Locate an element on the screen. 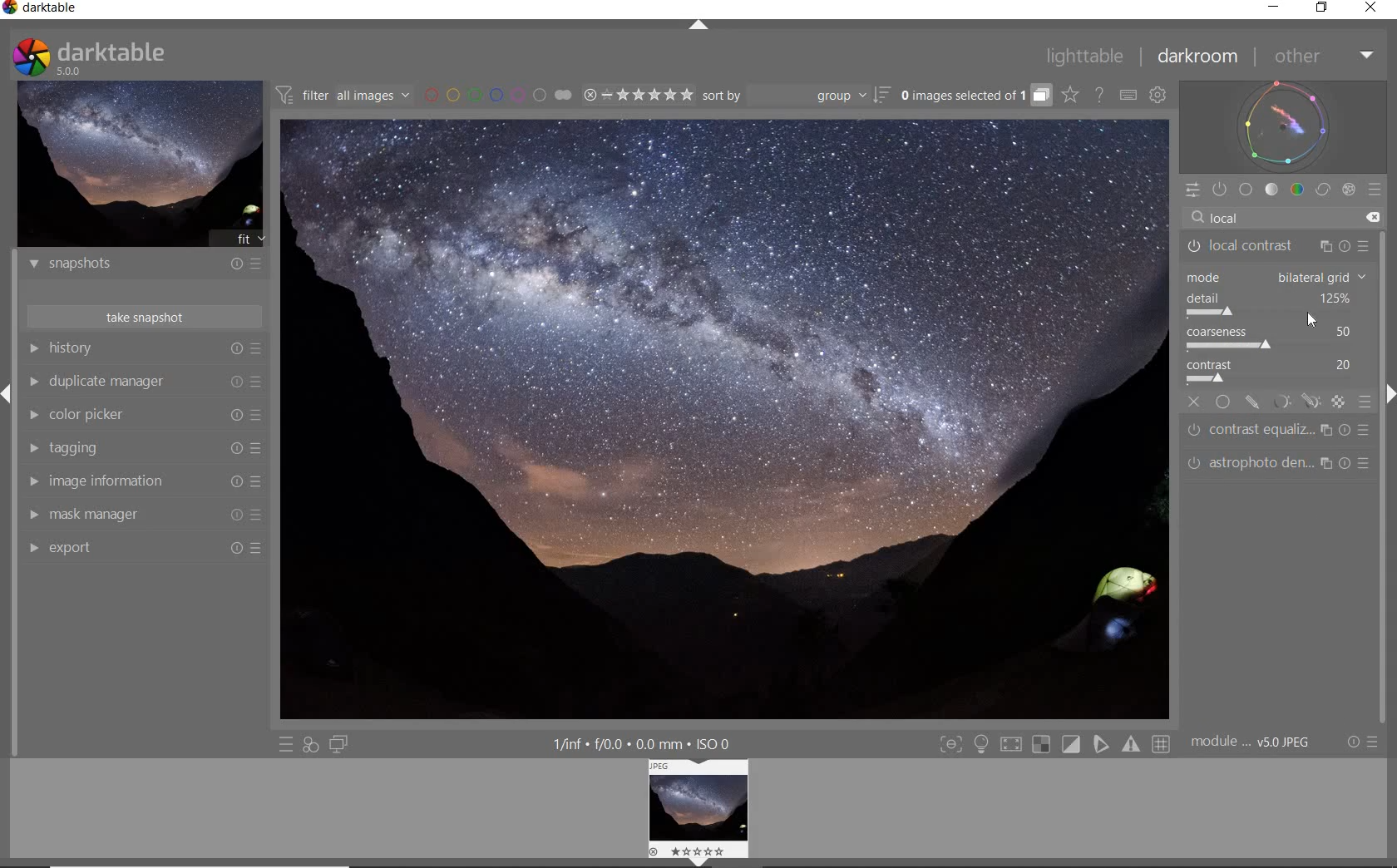  HISTORY is located at coordinates (33, 348).